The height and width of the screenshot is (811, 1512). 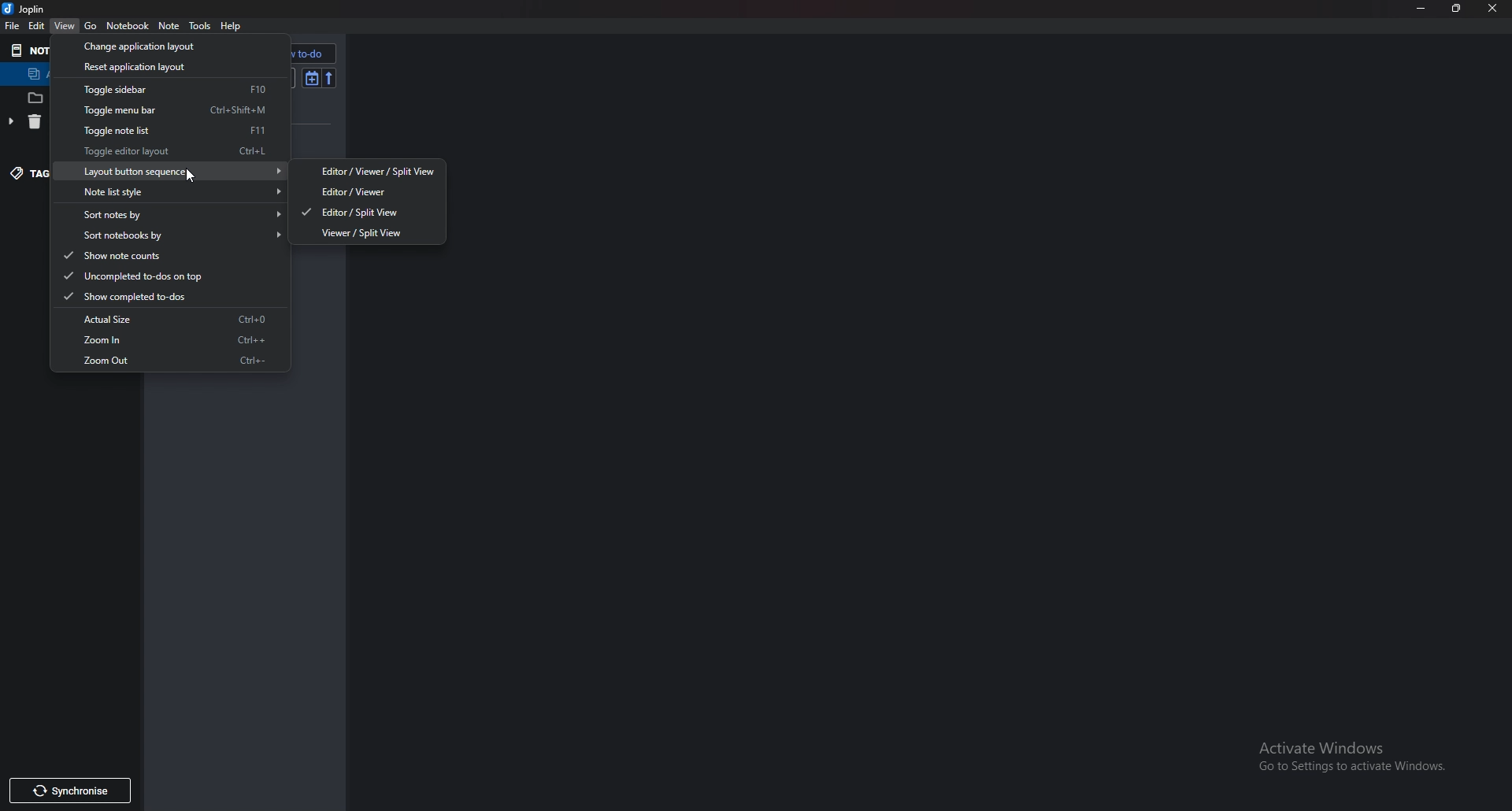 I want to click on Layout button sequence, so click(x=172, y=172).